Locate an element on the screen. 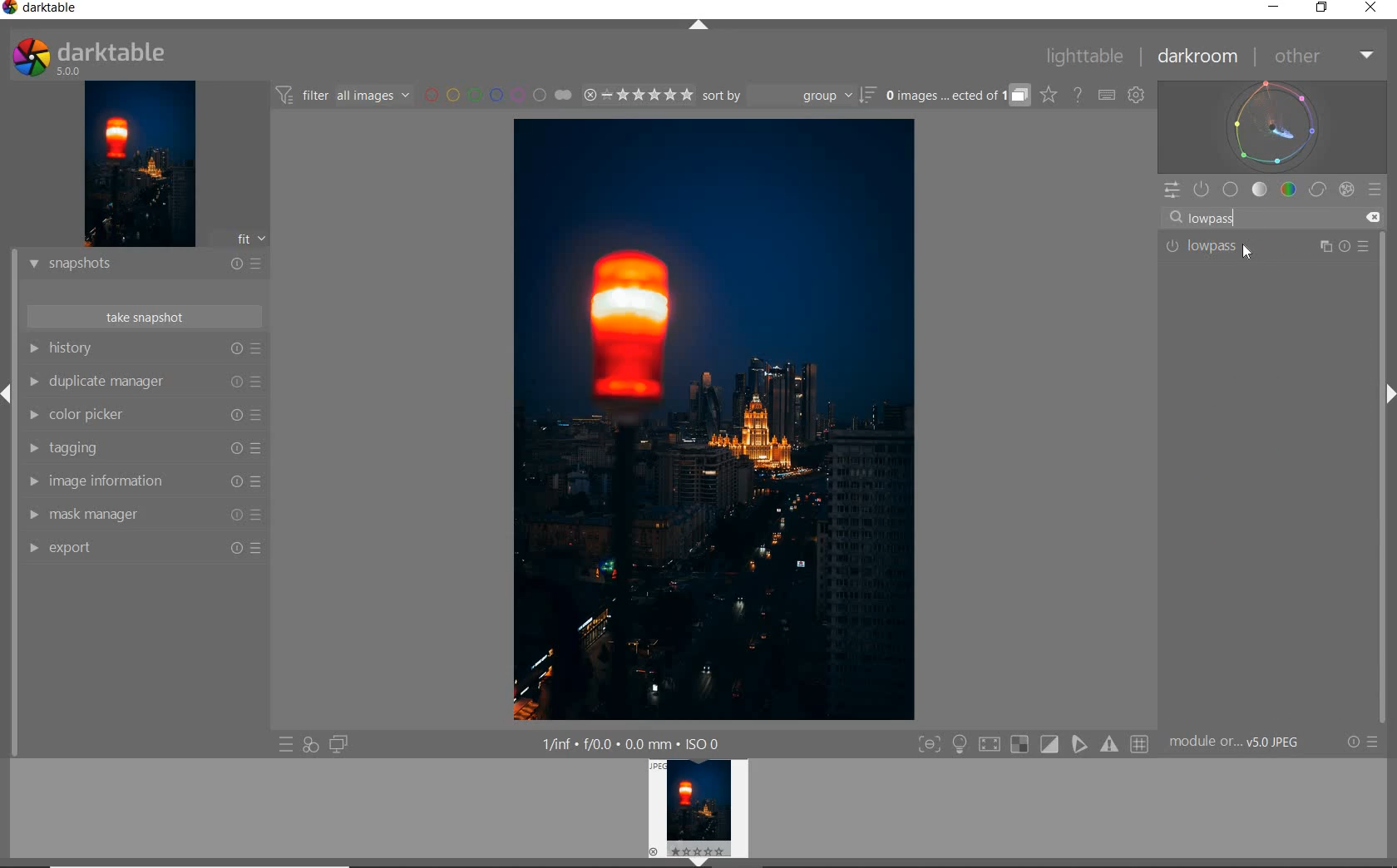 This screenshot has width=1397, height=868. TAKE SNAPSHOT is located at coordinates (143, 318).